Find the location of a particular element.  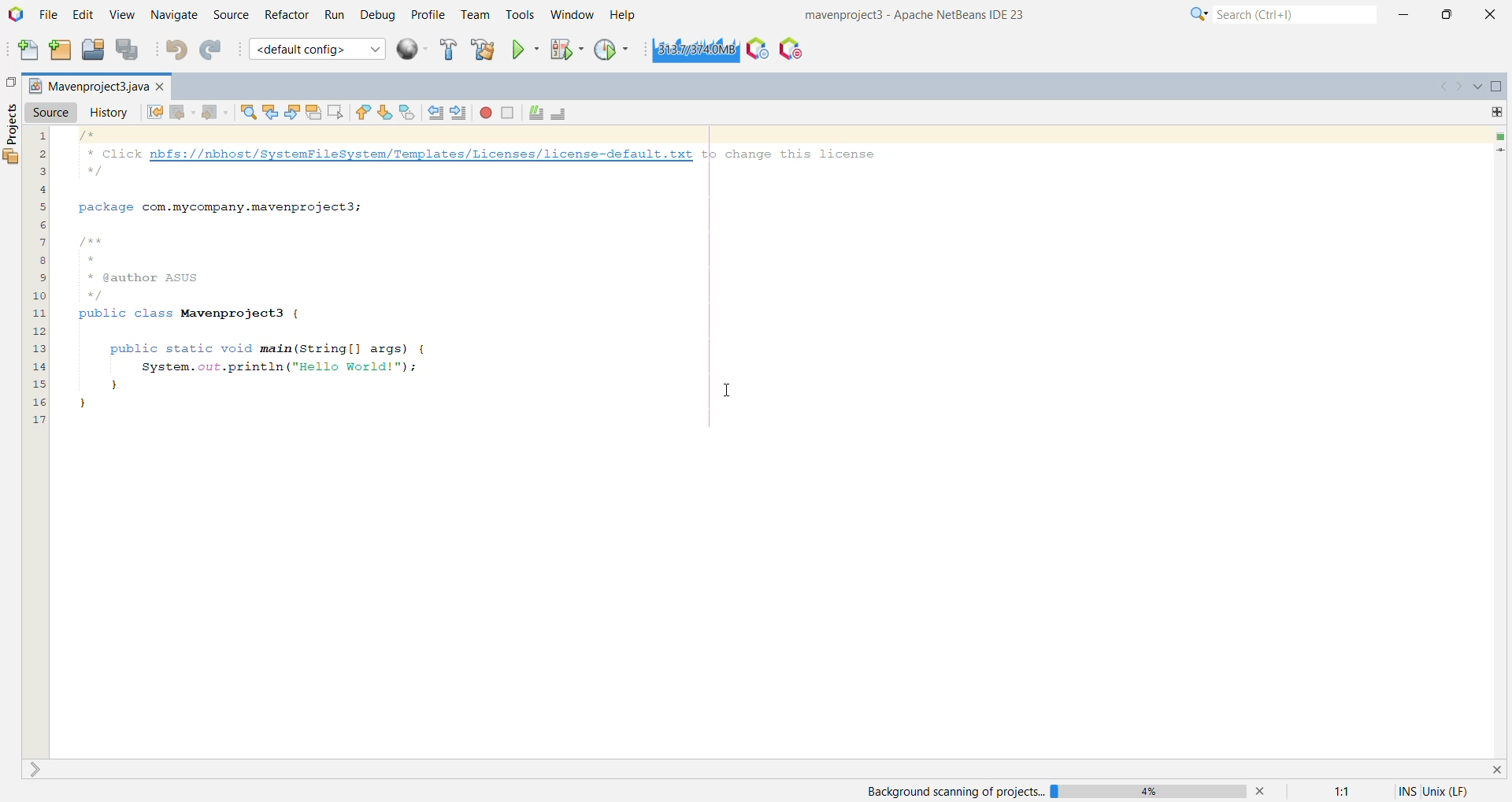

Shift Line Right is located at coordinates (459, 113).